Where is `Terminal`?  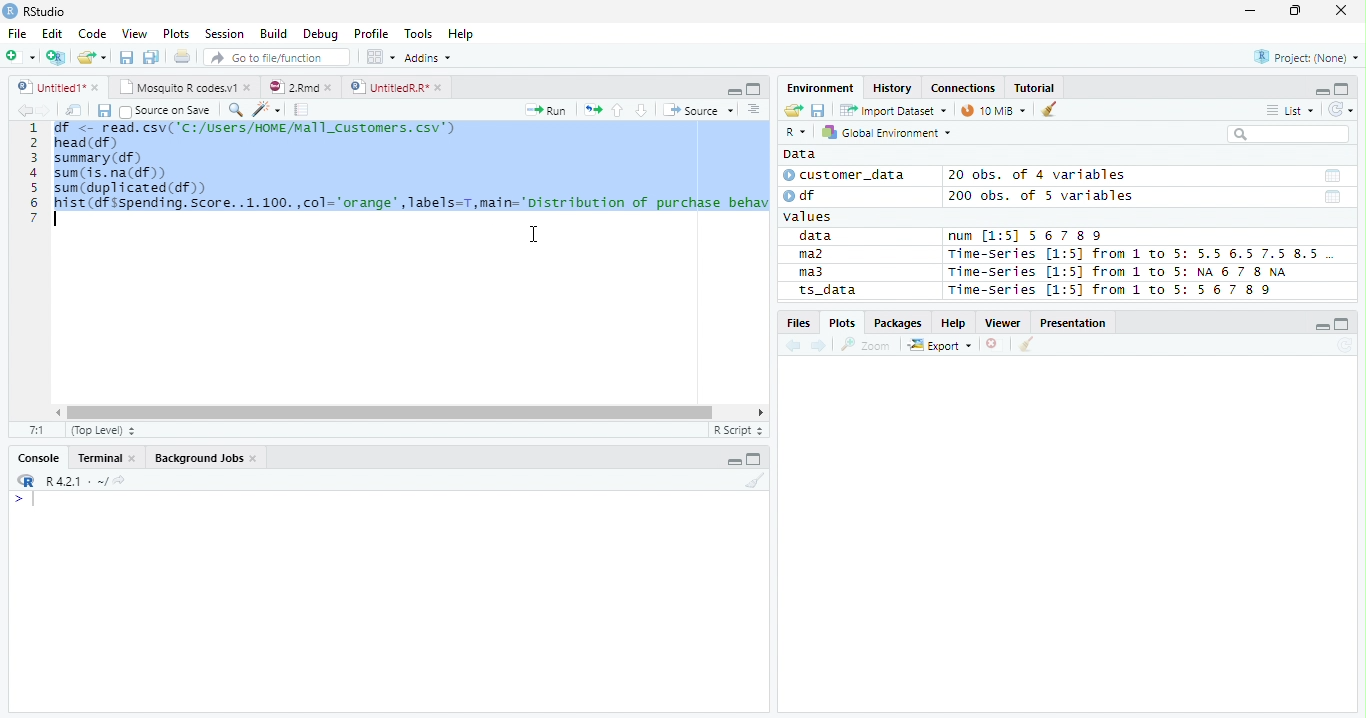
Terminal is located at coordinates (106, 460).